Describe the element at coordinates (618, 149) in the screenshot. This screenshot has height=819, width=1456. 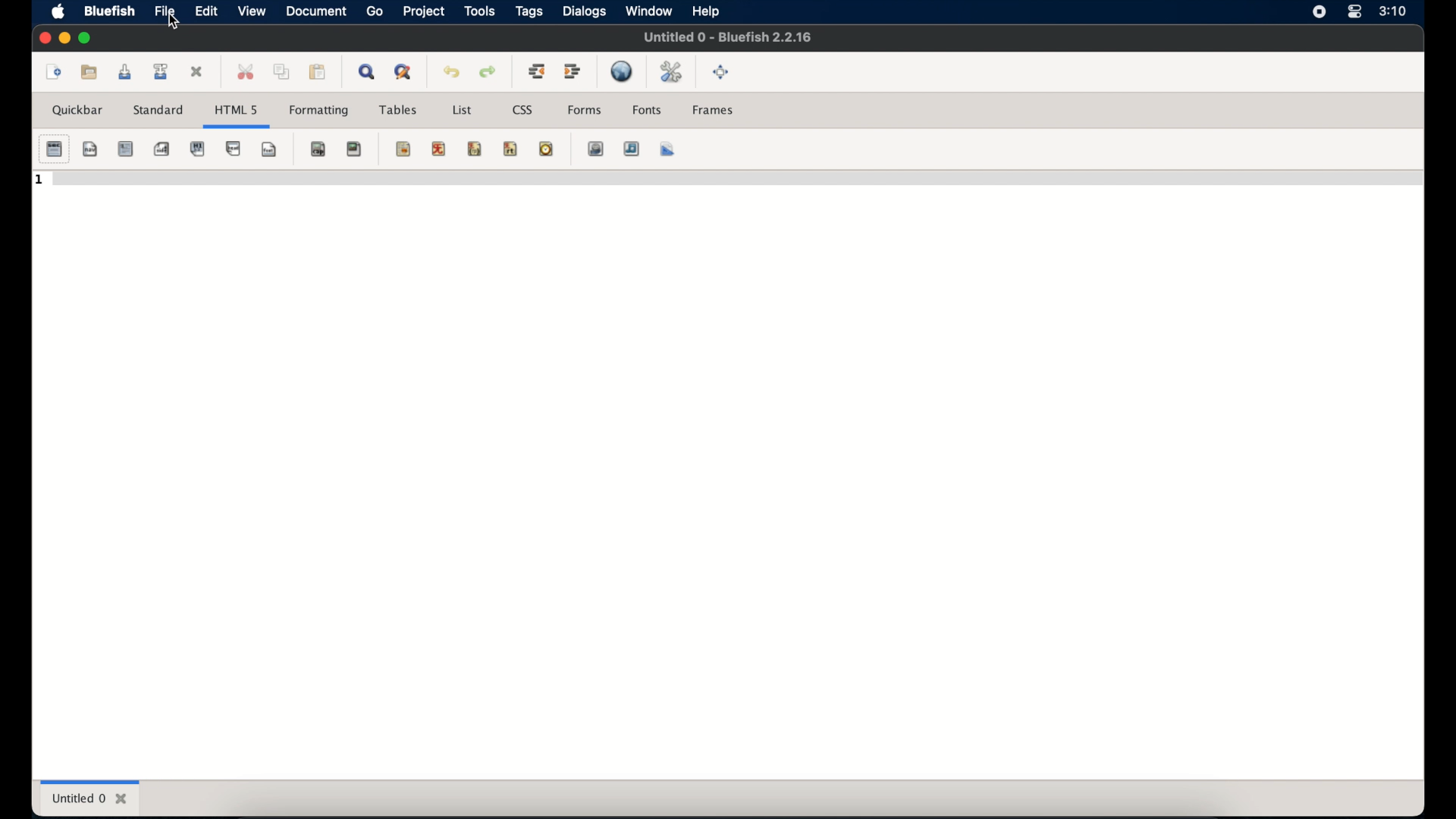
I see `insert  thumbnail` at that location.